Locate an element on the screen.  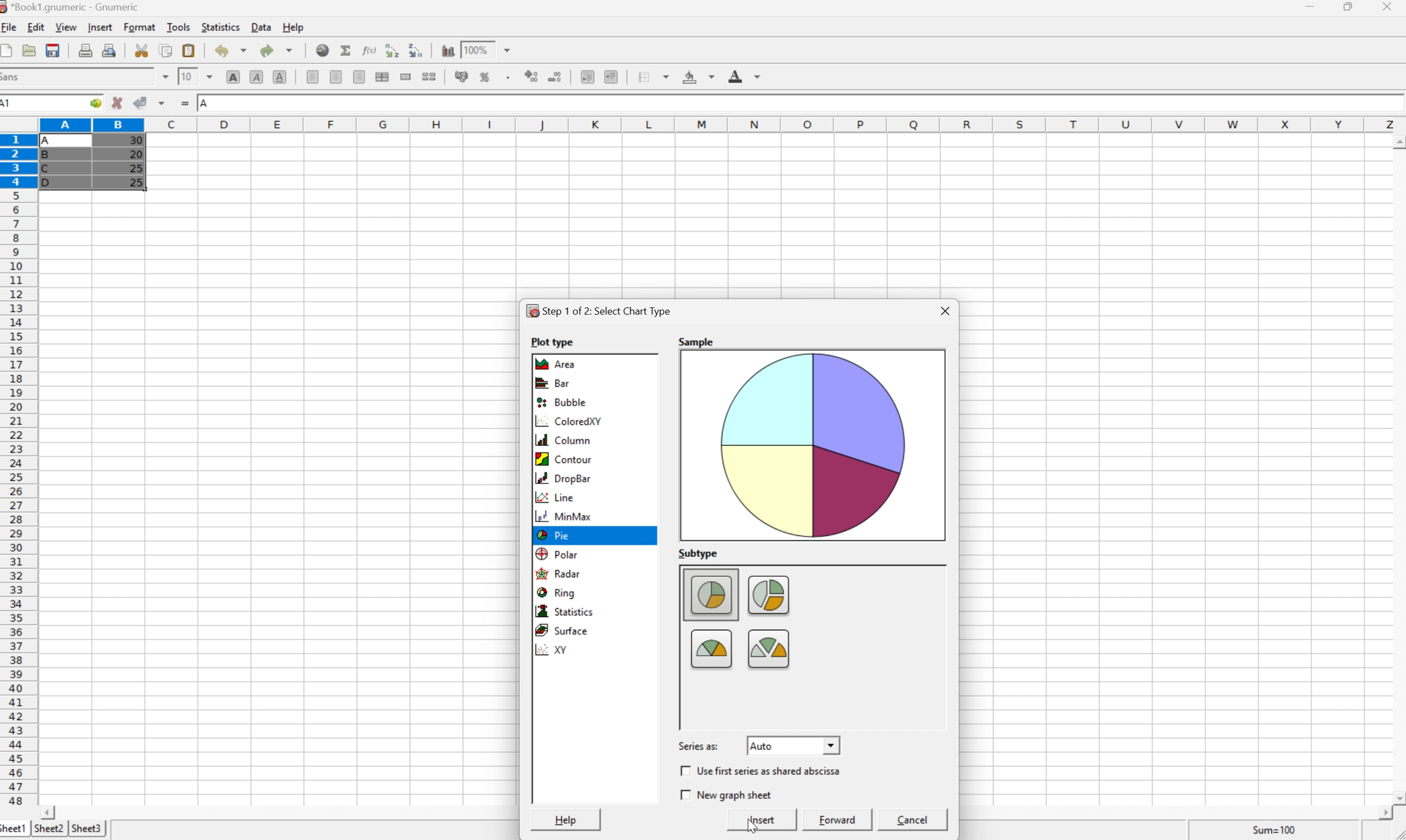
Forward is located at coordinates (837, 820).